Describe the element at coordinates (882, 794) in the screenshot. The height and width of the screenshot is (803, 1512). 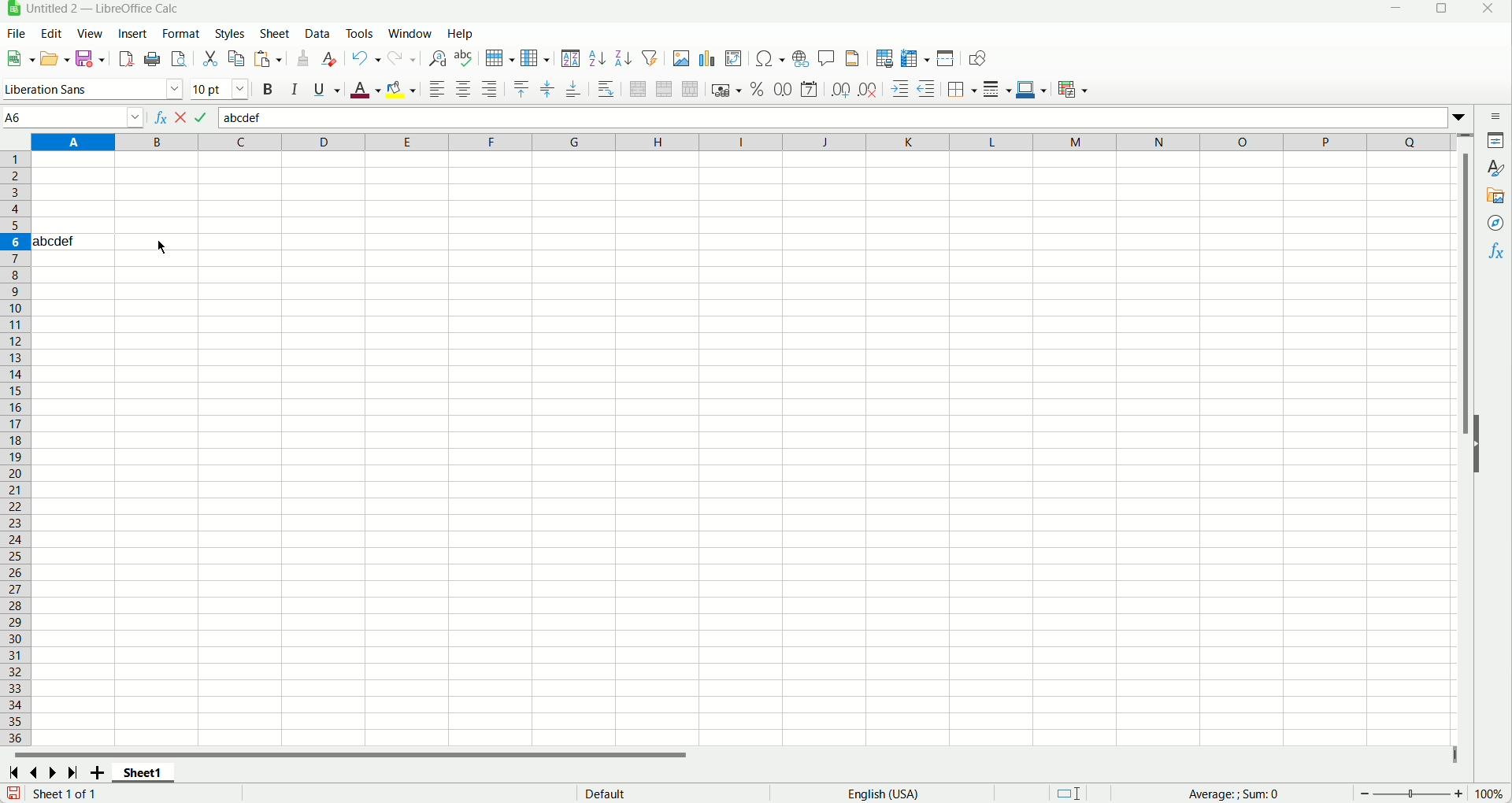
I see `english (USA)` at that location.